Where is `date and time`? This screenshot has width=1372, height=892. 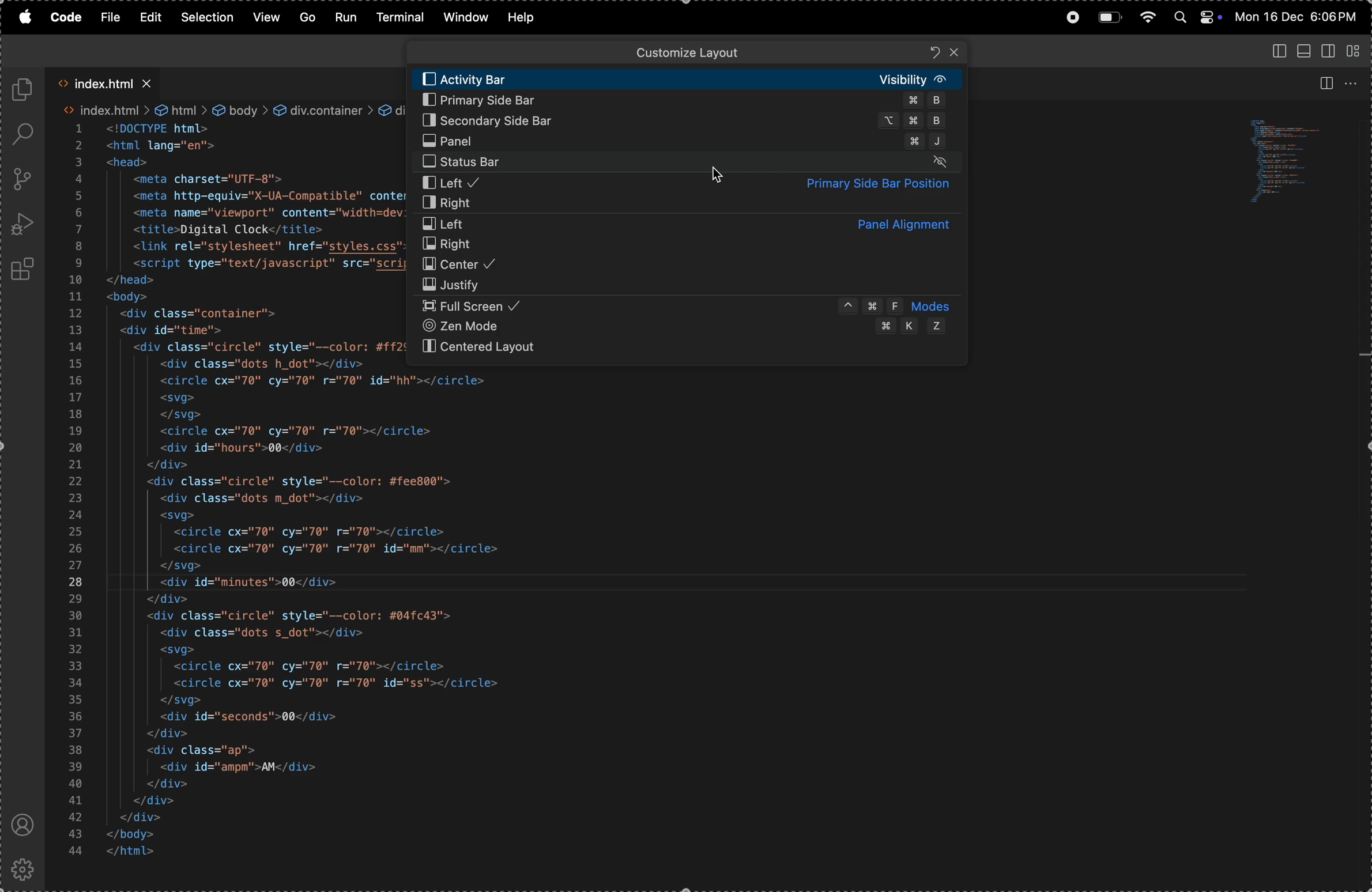 date and time is located at coordinates (1299, 18).